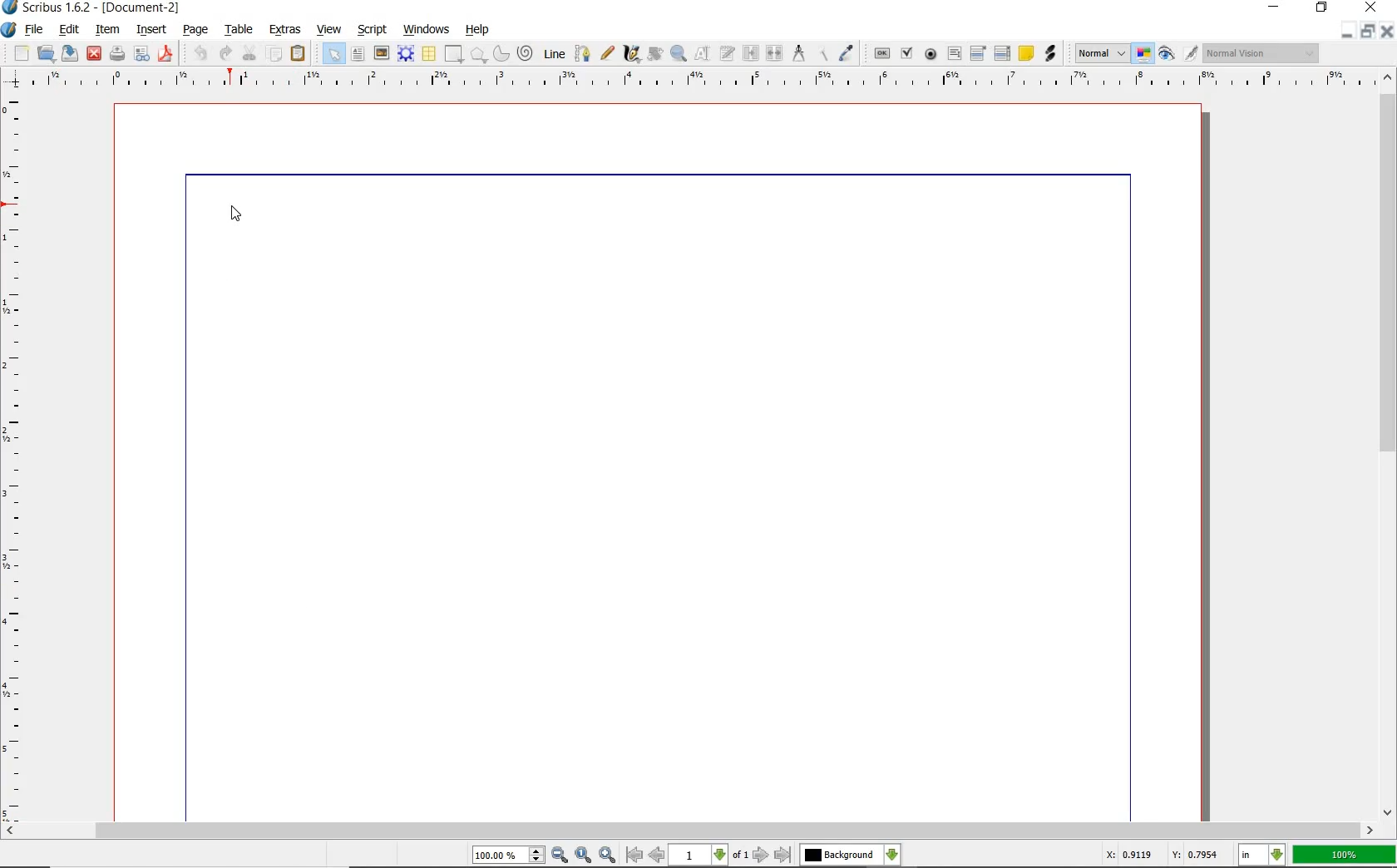  Describe the element at coordinates (501, 57) in the screenshot. I see `arc` at that location.